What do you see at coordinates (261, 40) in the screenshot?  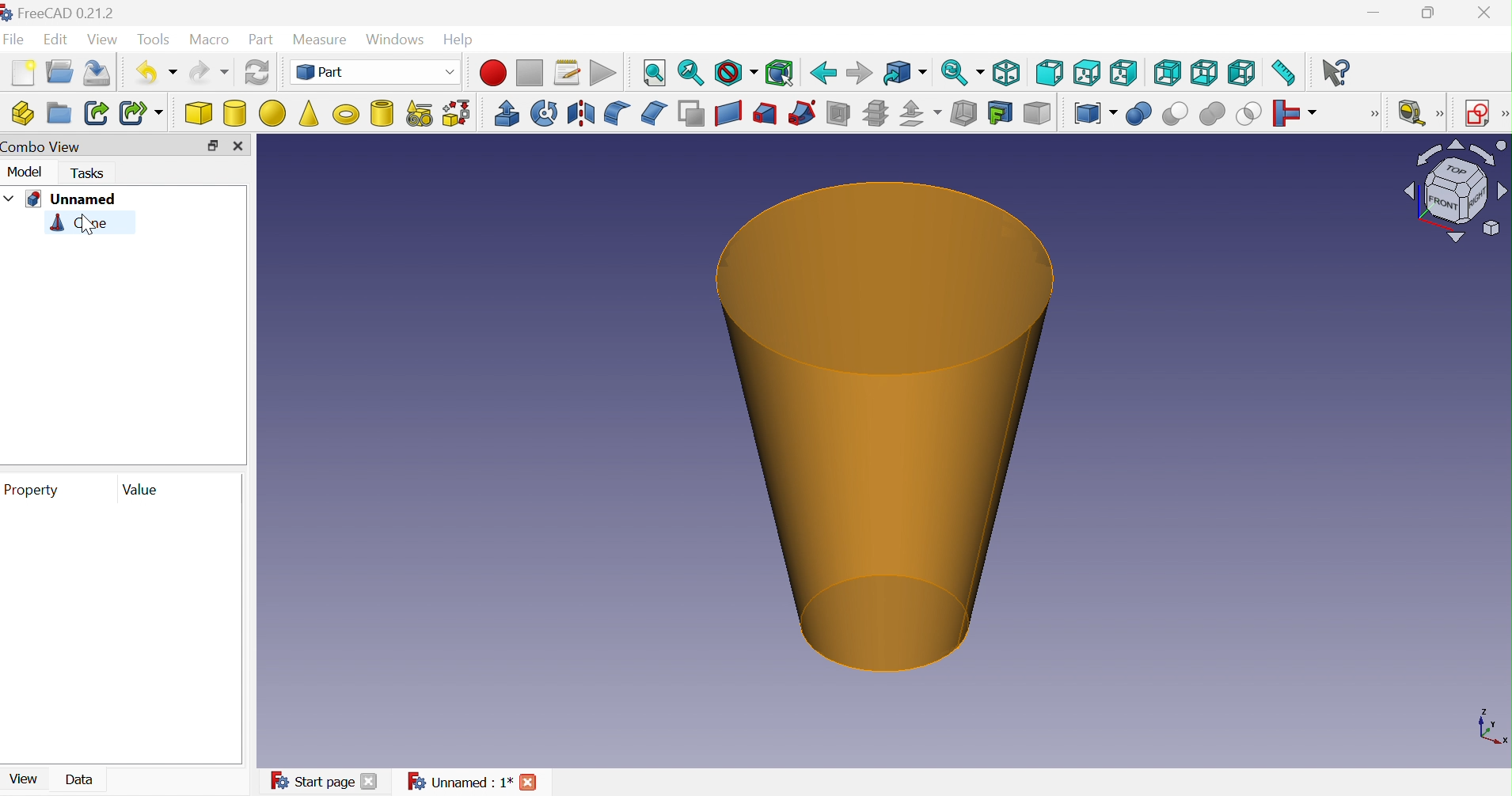 I see `Part` at bounding box center [261, 40].